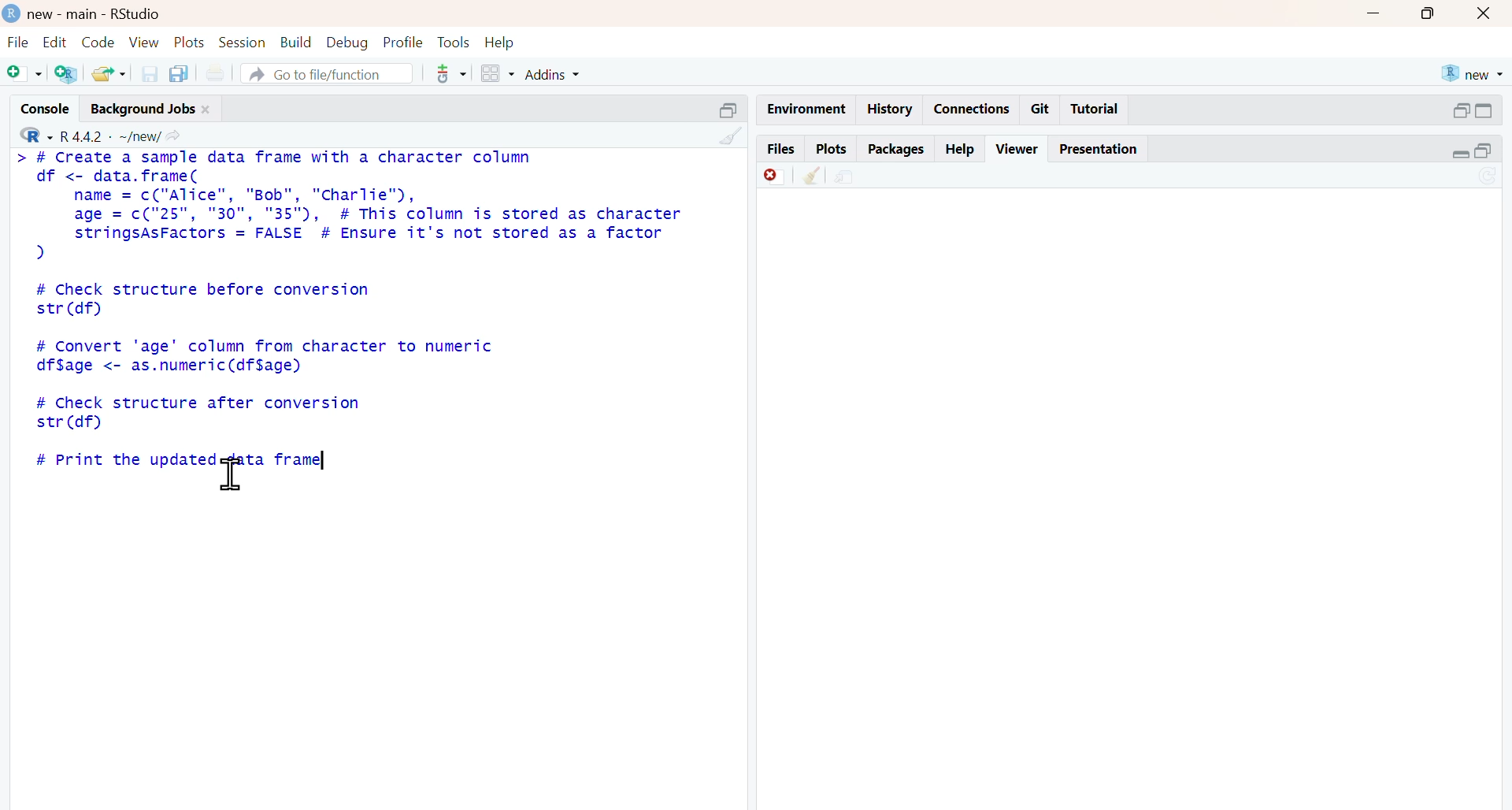  I want to click on maximise, so click(1427, 13).